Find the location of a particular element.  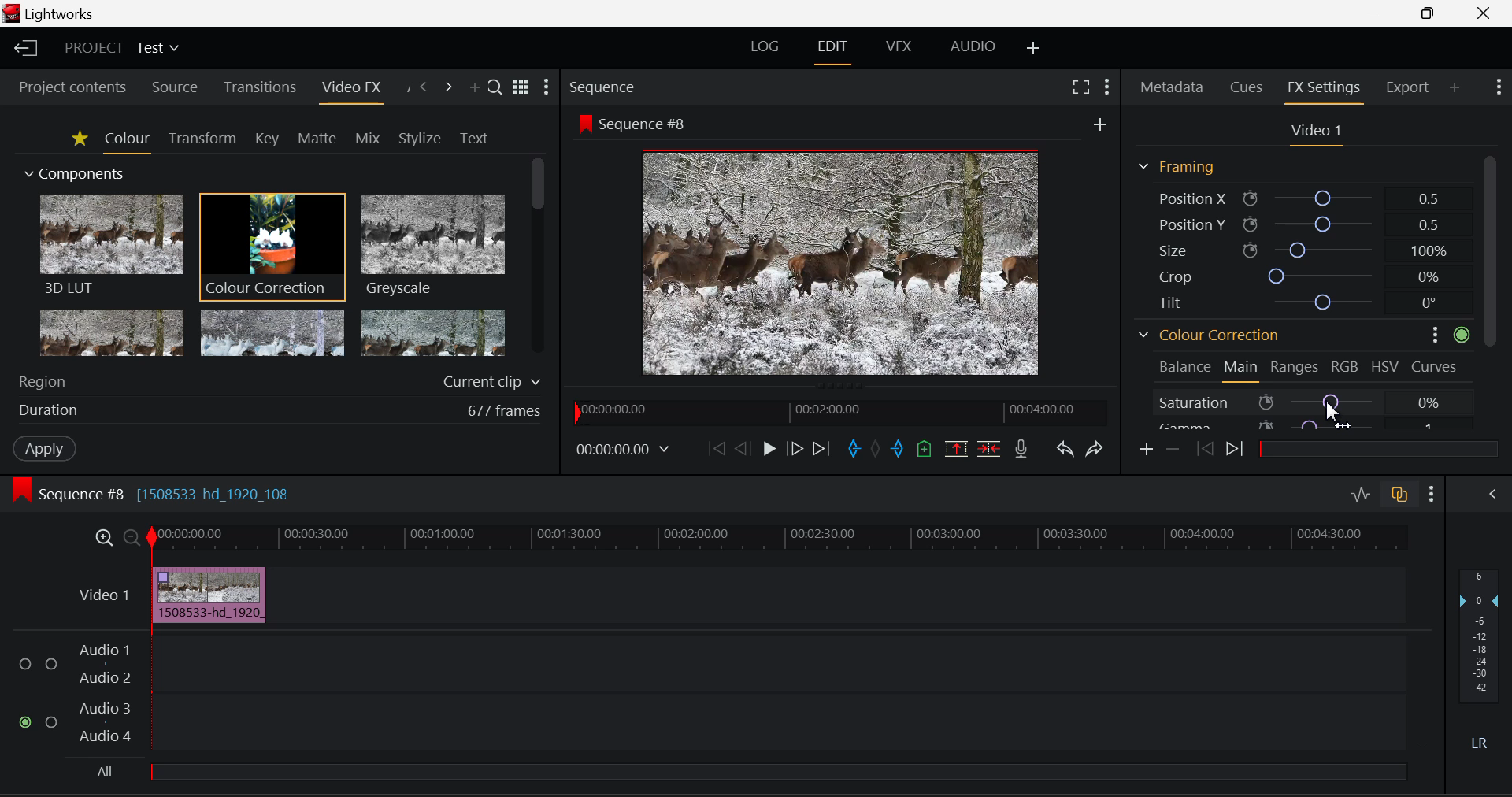

Sequence #8 Editing Section is located at coordinates (148, 493).